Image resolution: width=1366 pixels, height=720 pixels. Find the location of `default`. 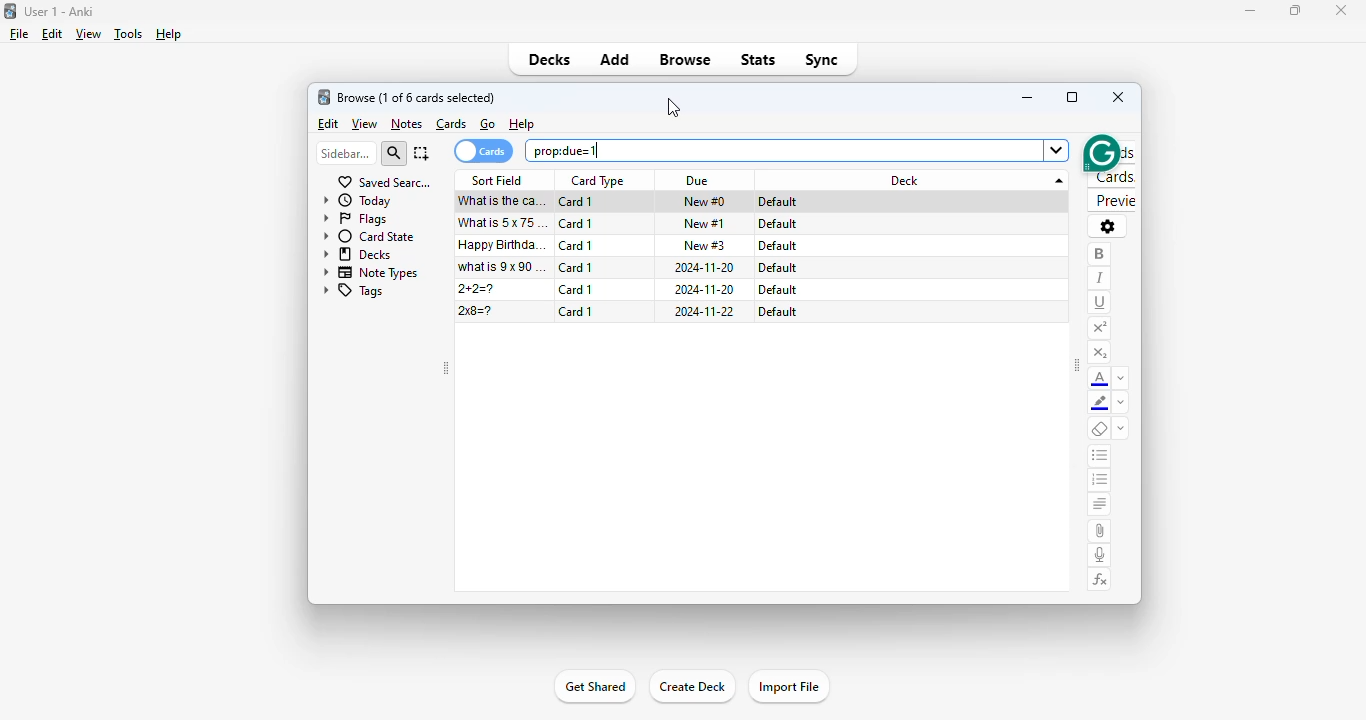

default is located at coordinates (776, 267).